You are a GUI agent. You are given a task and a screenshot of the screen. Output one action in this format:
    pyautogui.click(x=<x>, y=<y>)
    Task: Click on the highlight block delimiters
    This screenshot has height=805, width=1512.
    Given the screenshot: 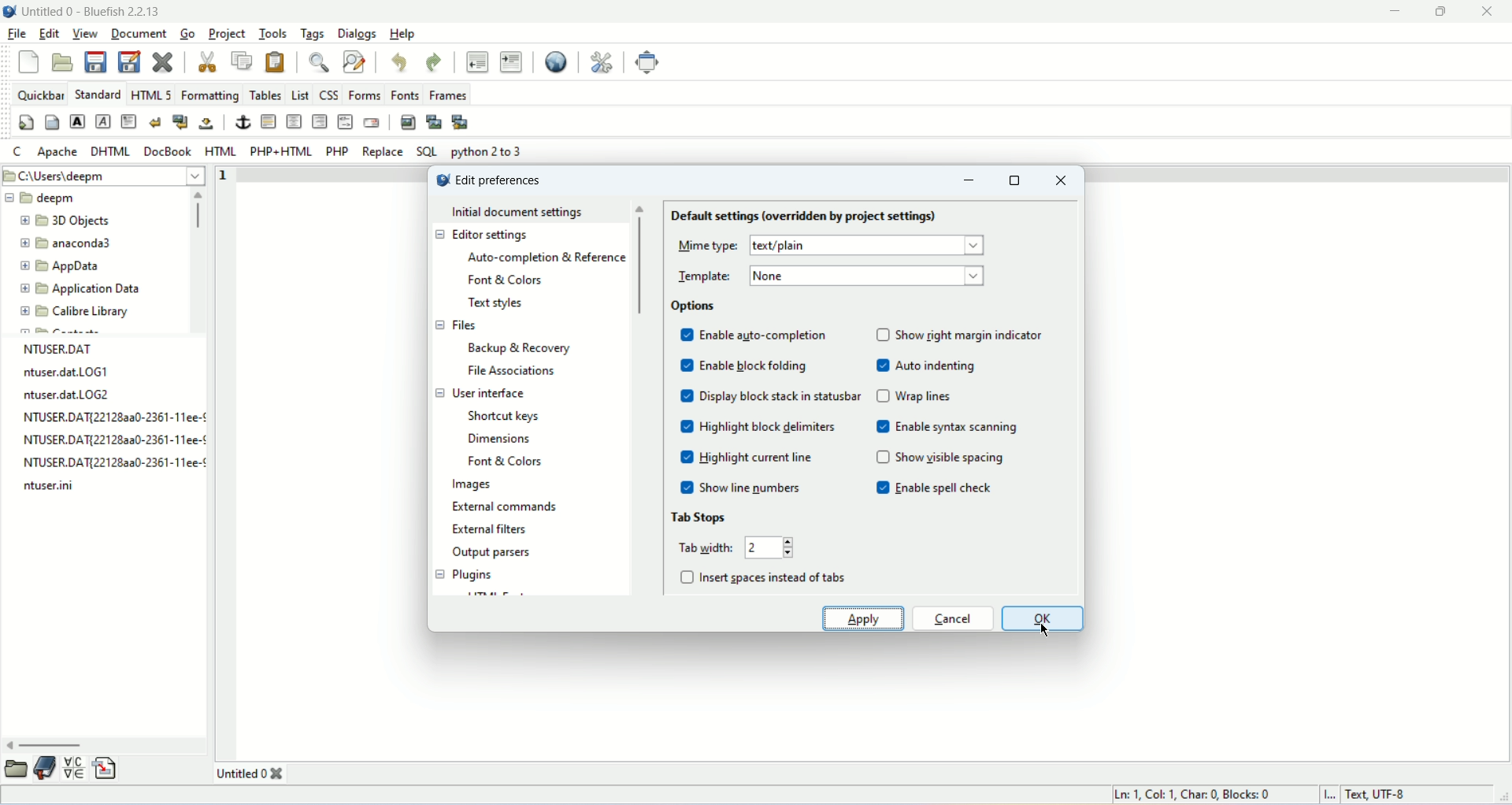 What is the action you would take?
    pyautogui.click(x=769, y=428)
    